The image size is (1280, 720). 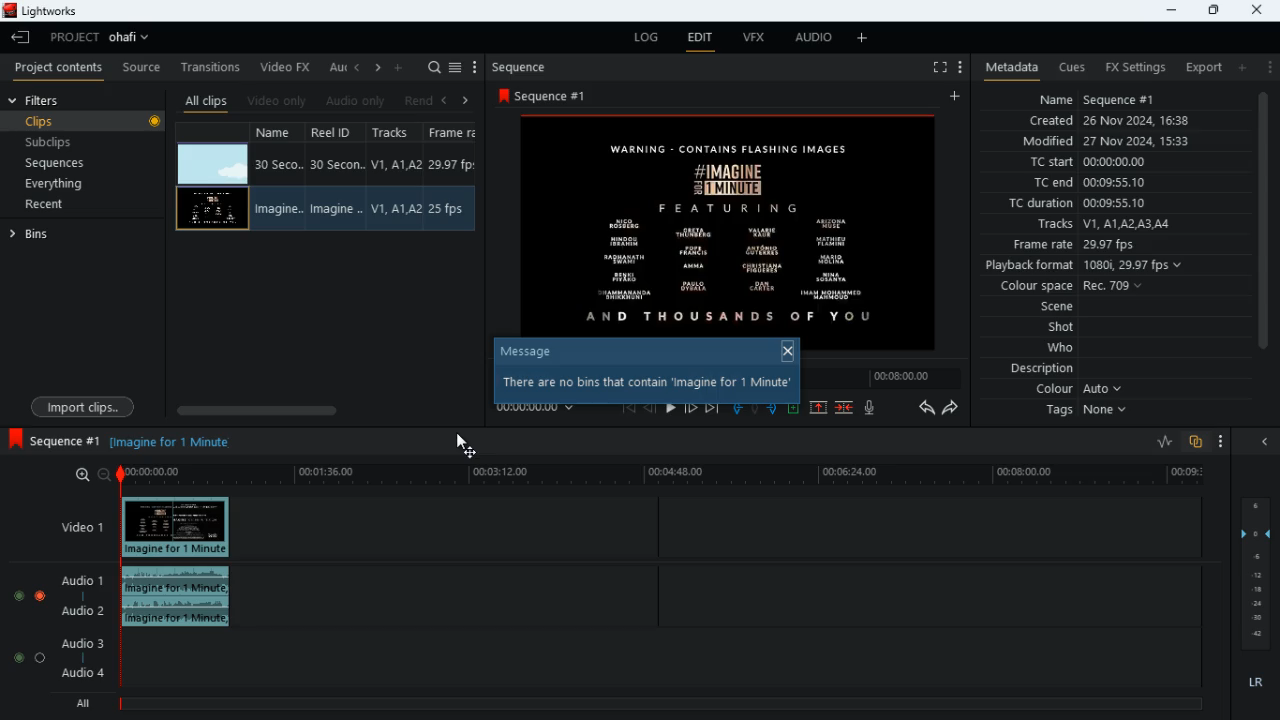 What do you see at coordinates (84, 644) in the screenshot?
I see `audio 3` at bounding box center [84, 644].